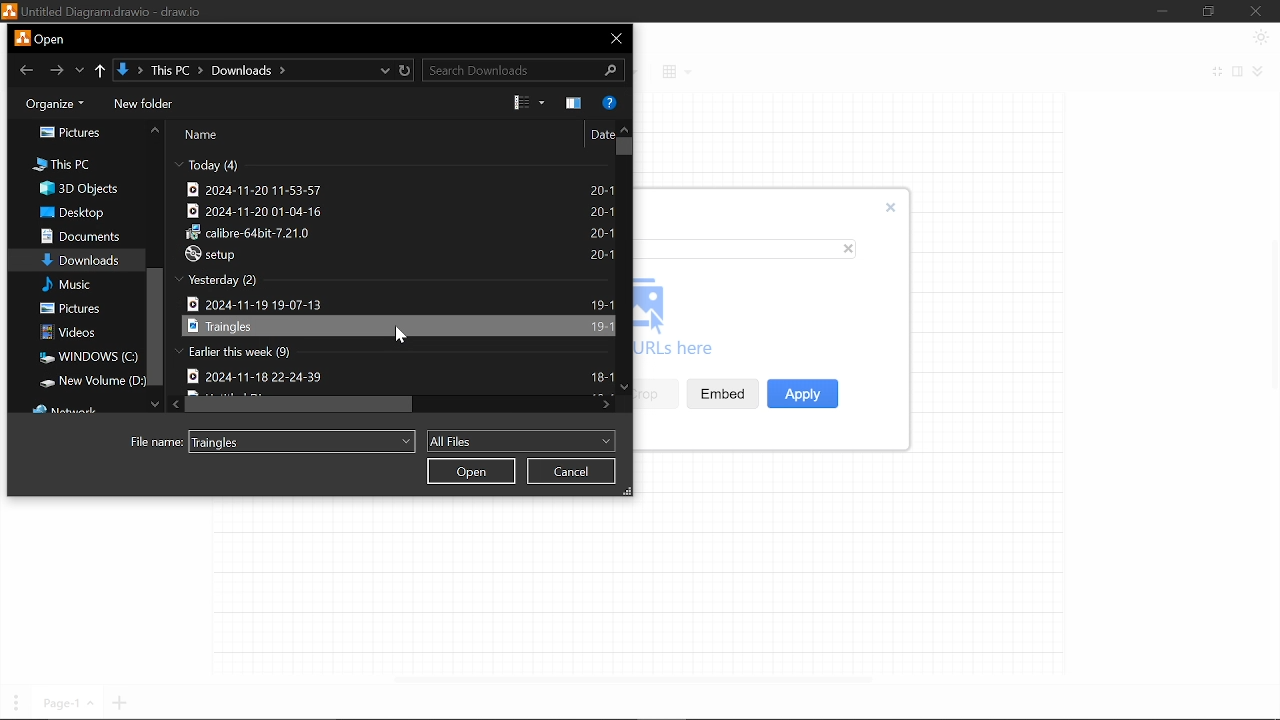 The height and width of the screenshot is (720, 1280). What do you see at coordinates (231, 326) in the screenshot?
I see `Traingles` at bounding box center [231, 326].